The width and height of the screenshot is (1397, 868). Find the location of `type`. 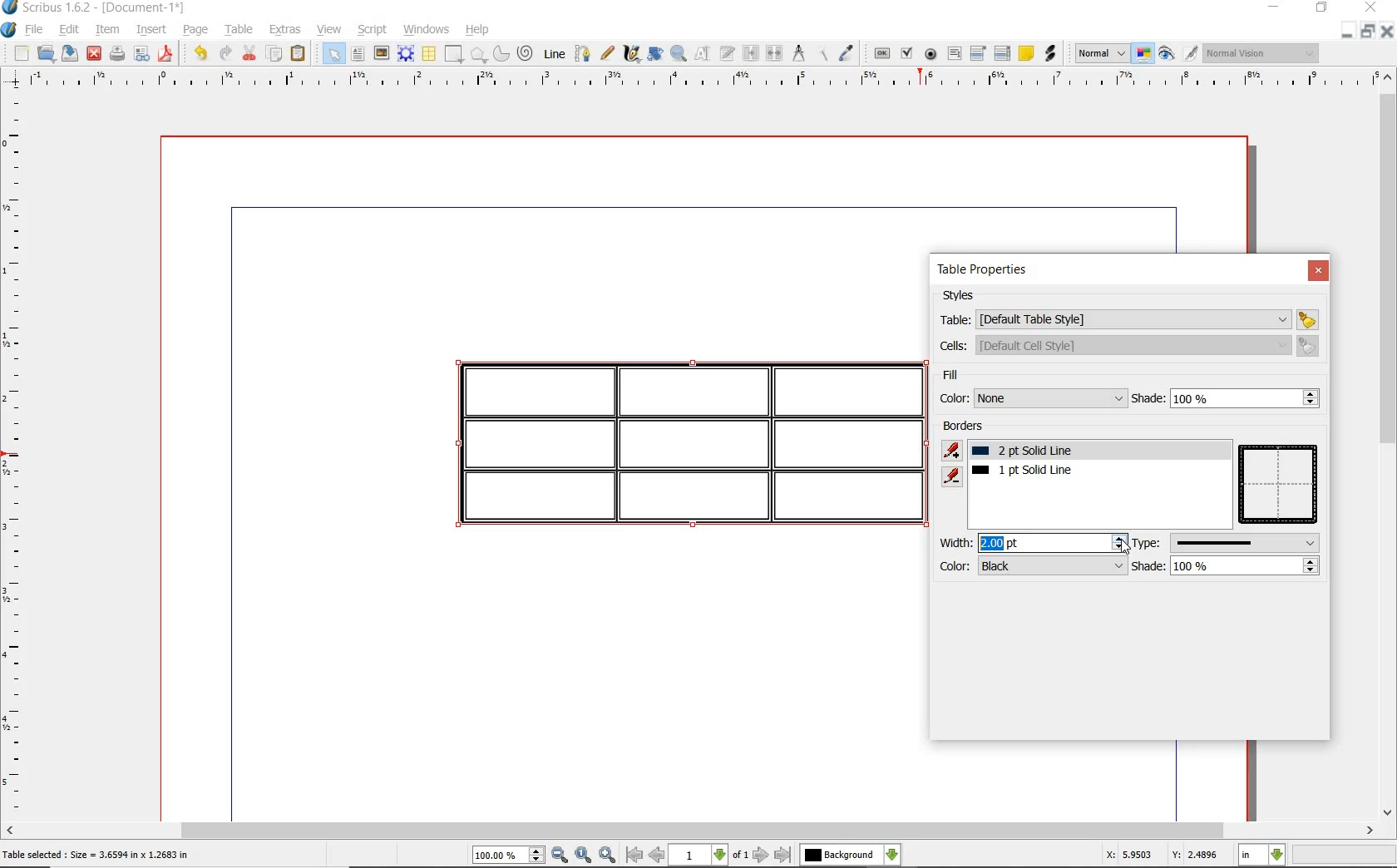

type is located at coordinates (1229, 542).